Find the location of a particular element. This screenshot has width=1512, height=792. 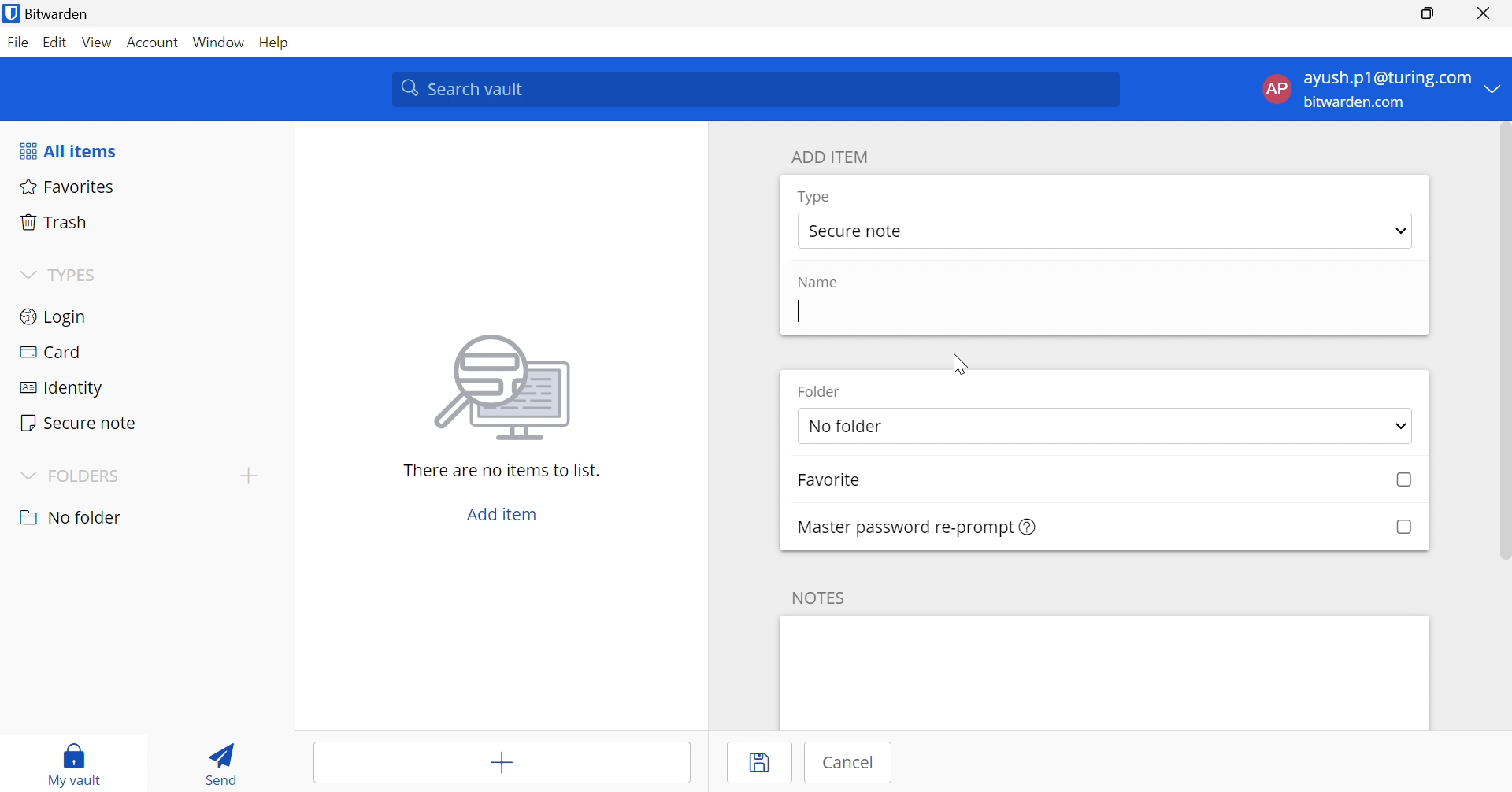

Type is located at coordinates (815, 198).